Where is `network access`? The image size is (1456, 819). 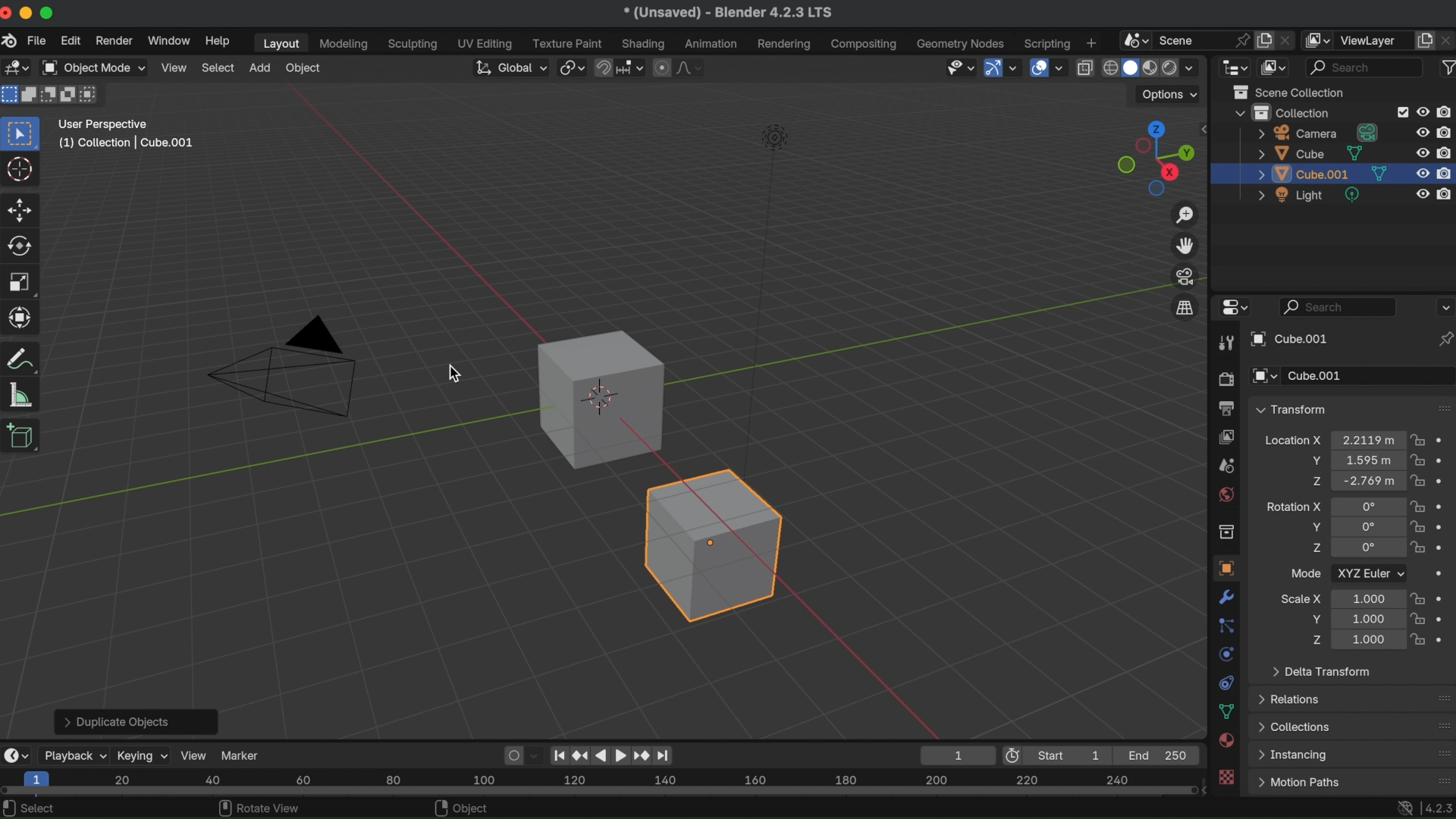
network access is located at coordinates (1401, 807).